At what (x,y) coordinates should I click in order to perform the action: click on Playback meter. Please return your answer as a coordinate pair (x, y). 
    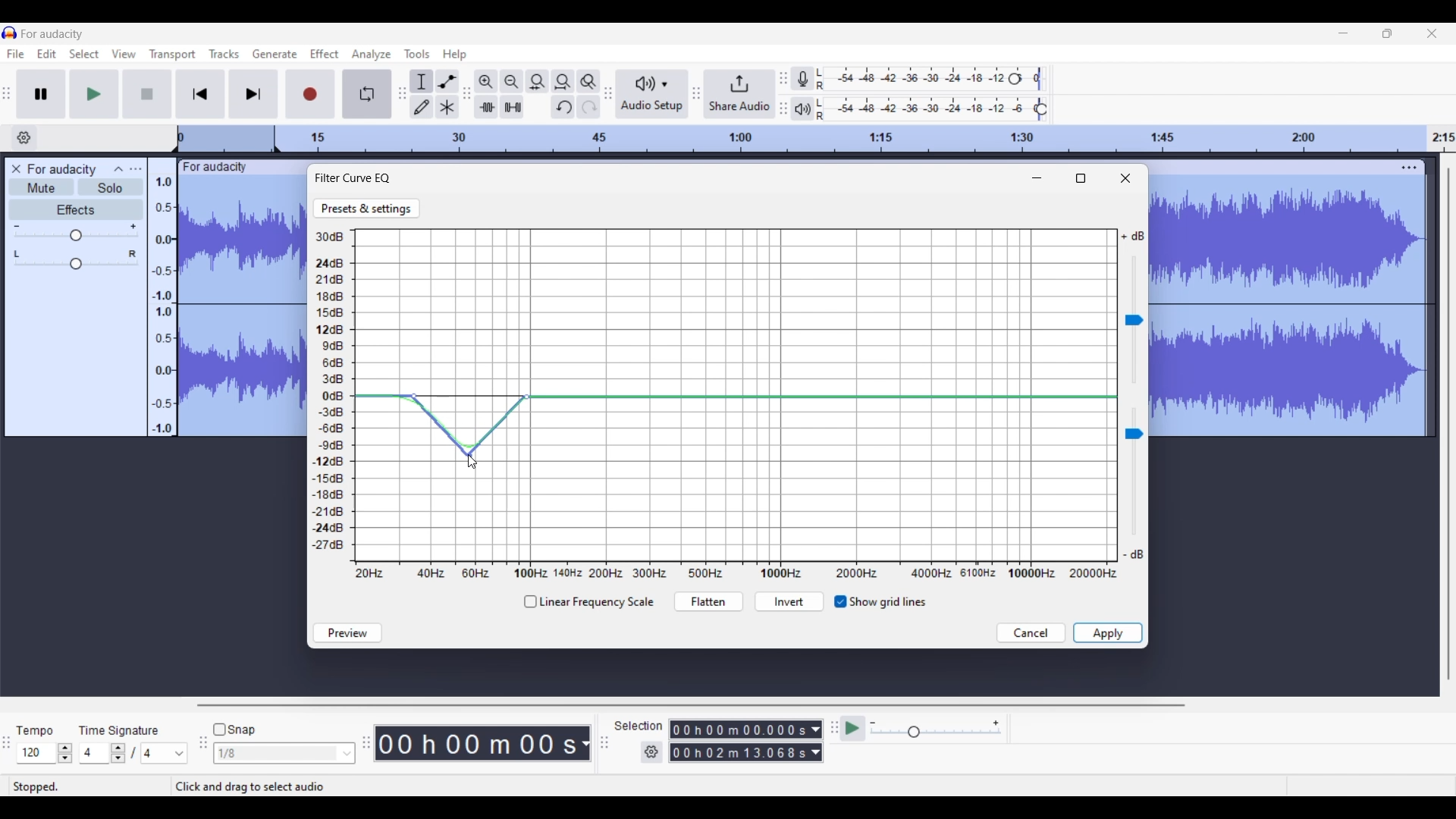
    Looking at the image, I should click on (803, 109).